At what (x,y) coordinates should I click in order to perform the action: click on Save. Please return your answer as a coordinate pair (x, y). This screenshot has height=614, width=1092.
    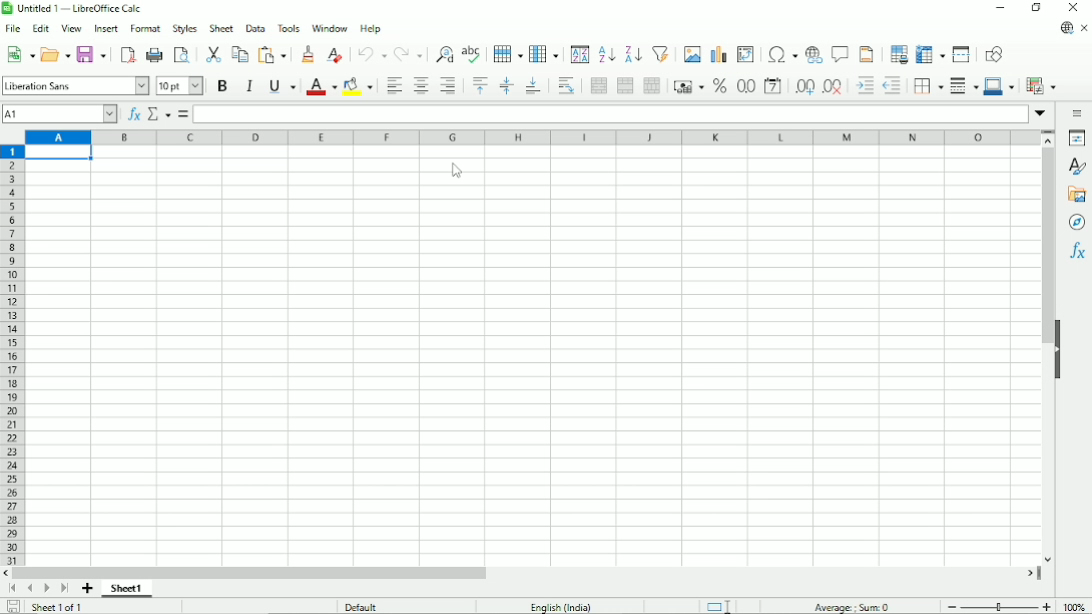
    Looking at the image, I should click on (12, 606).